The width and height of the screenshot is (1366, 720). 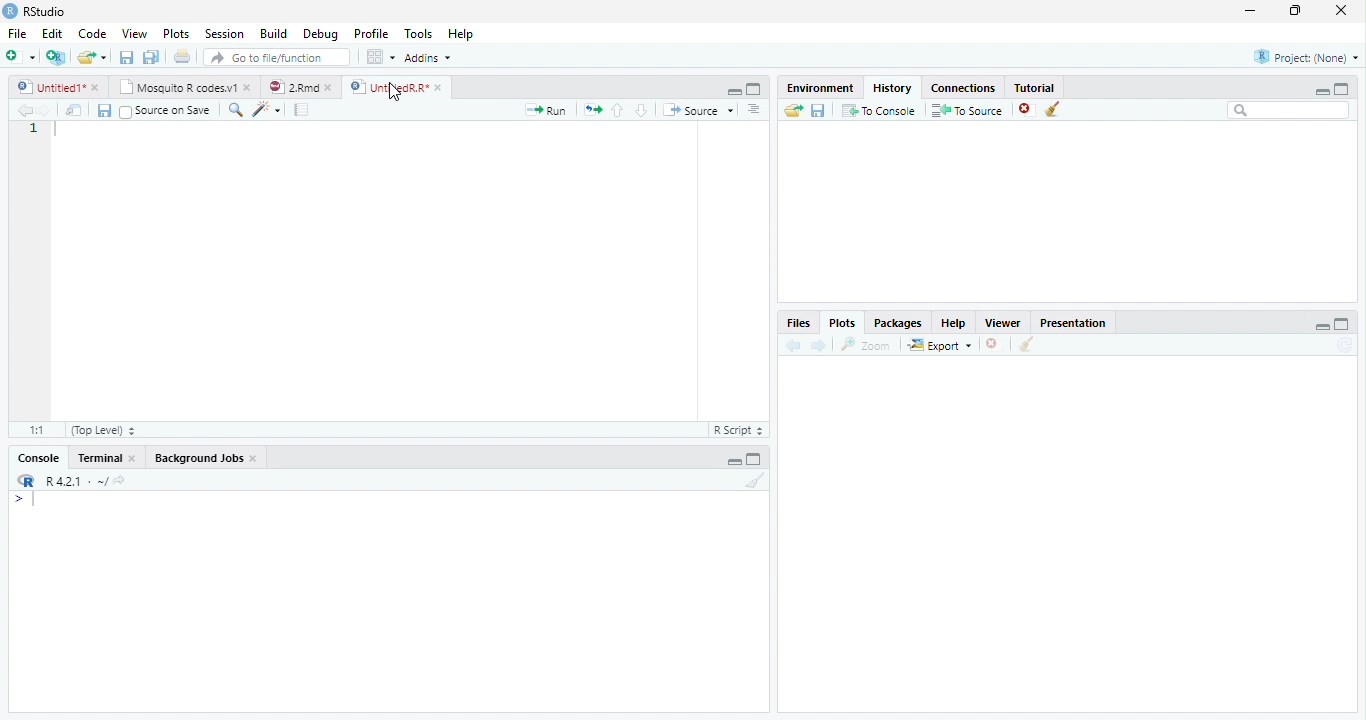 I want to click on cursor, so click(x=395, y=92).